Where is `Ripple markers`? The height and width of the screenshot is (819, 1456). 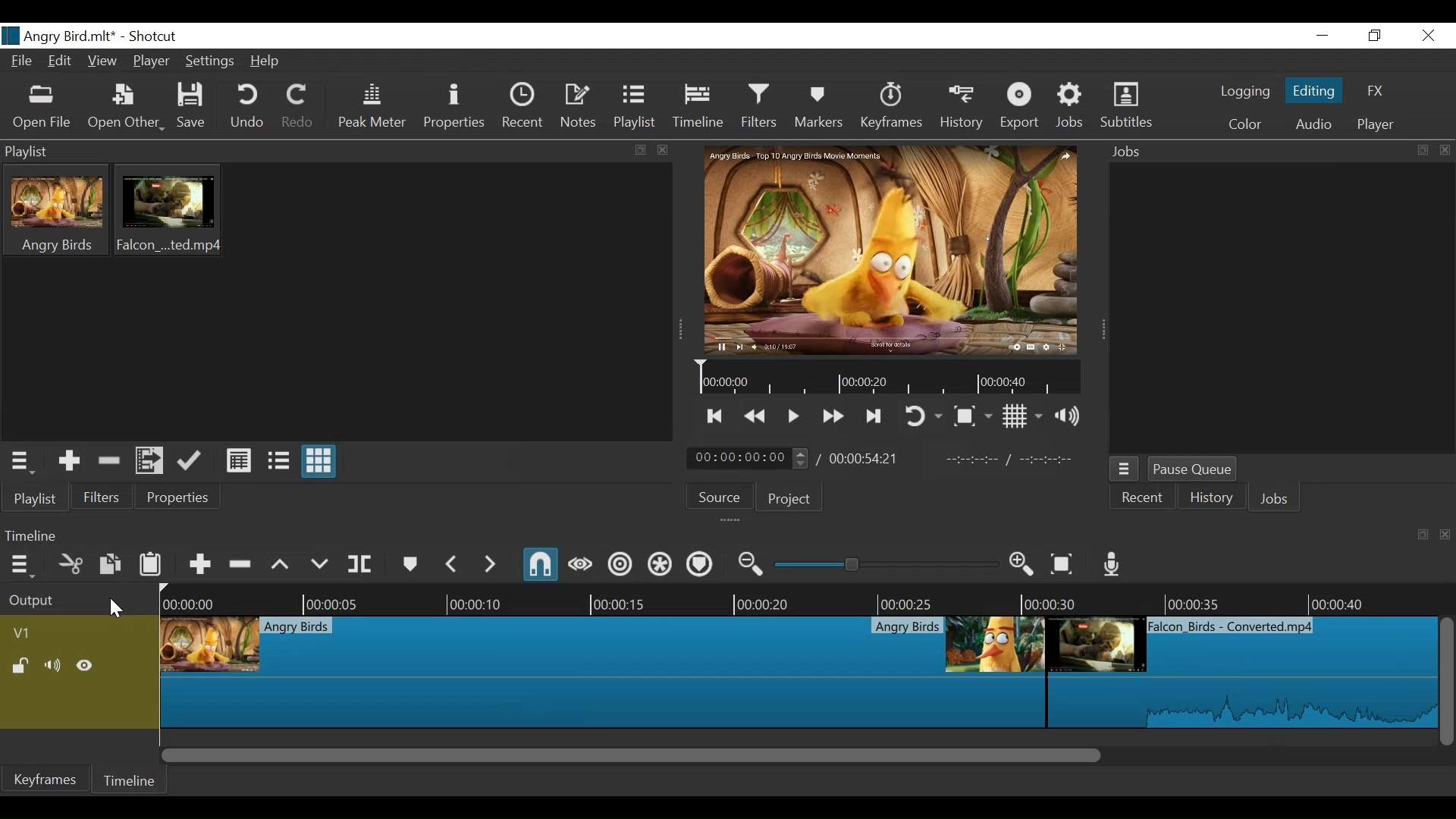 Ripple markers is located at coordinates (698, 564).